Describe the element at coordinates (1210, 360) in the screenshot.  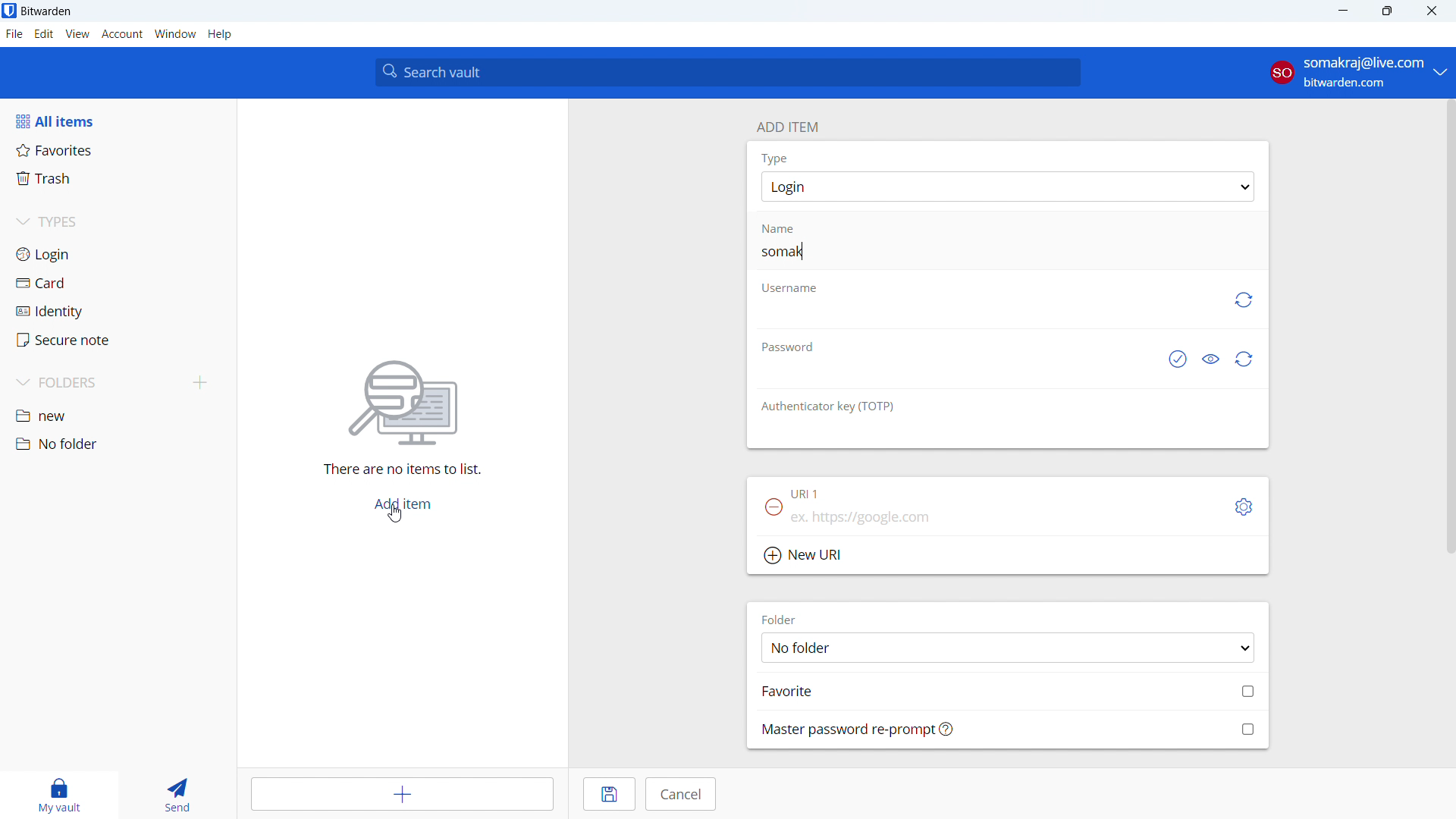
I see `toggle visibility` at that location.